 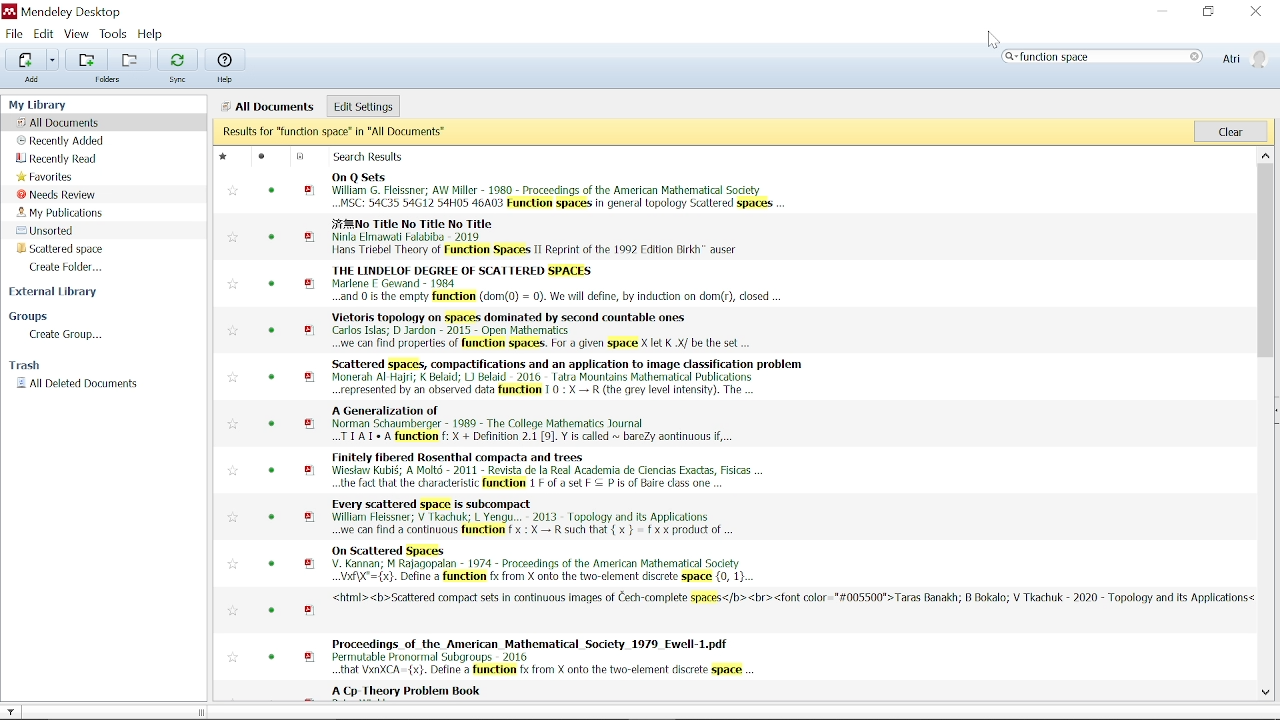 What do you see at coordinates (24, 59) in the screenshot?
I see `Add files` at bounding box center [24, 59].